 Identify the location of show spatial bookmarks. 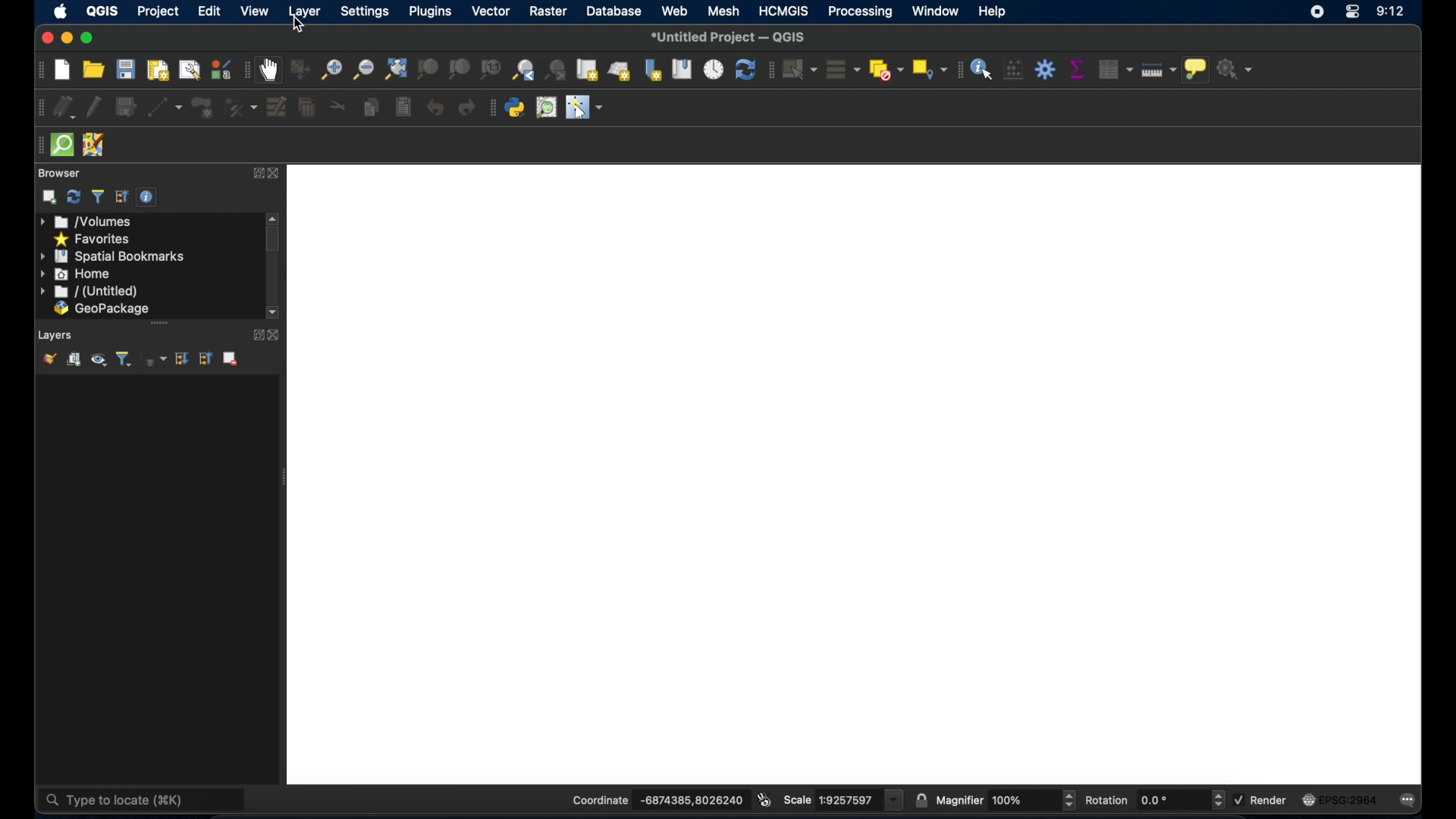
(681, 68).